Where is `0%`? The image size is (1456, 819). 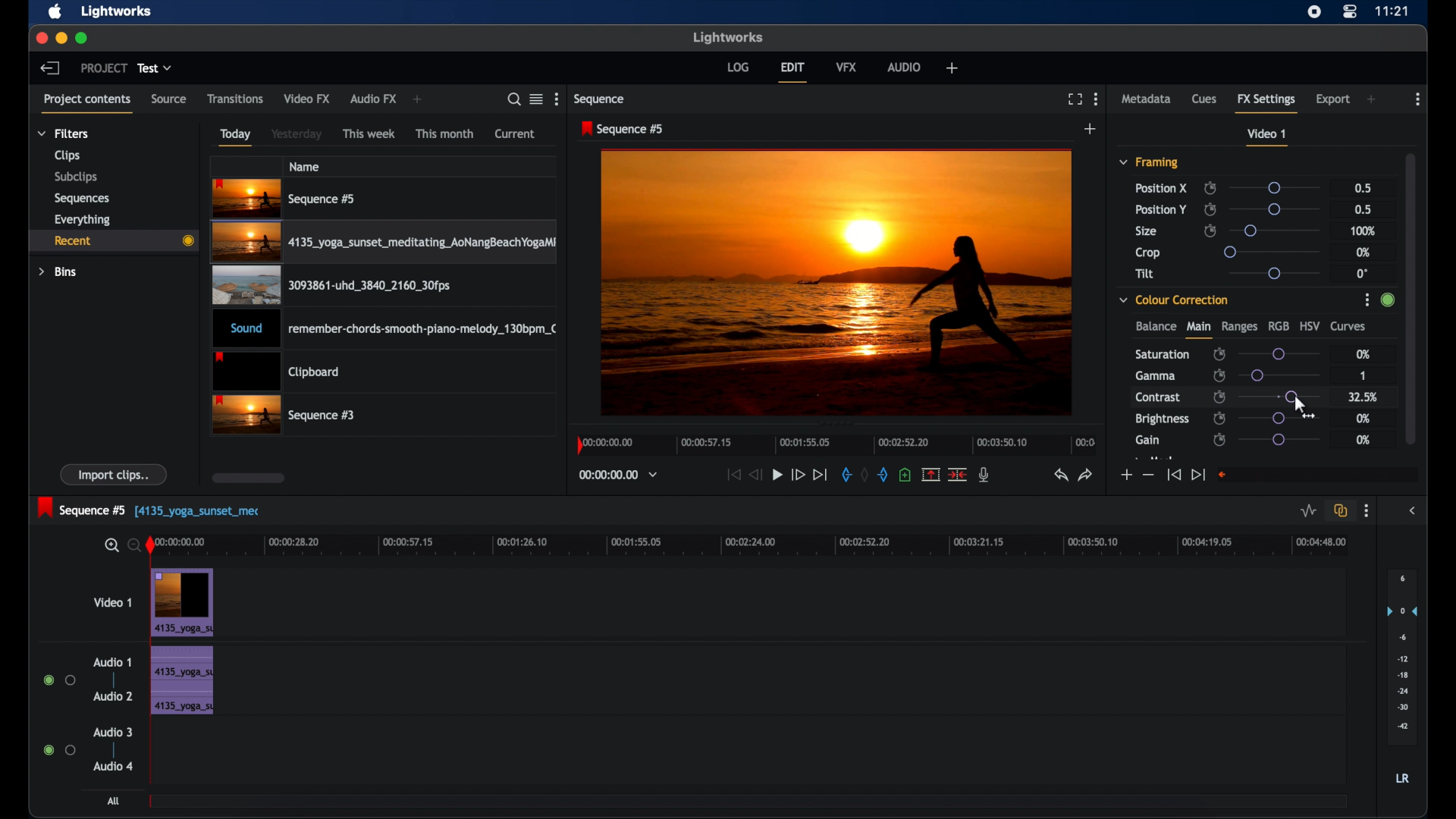
0% is located at coordinates (1362, 353).